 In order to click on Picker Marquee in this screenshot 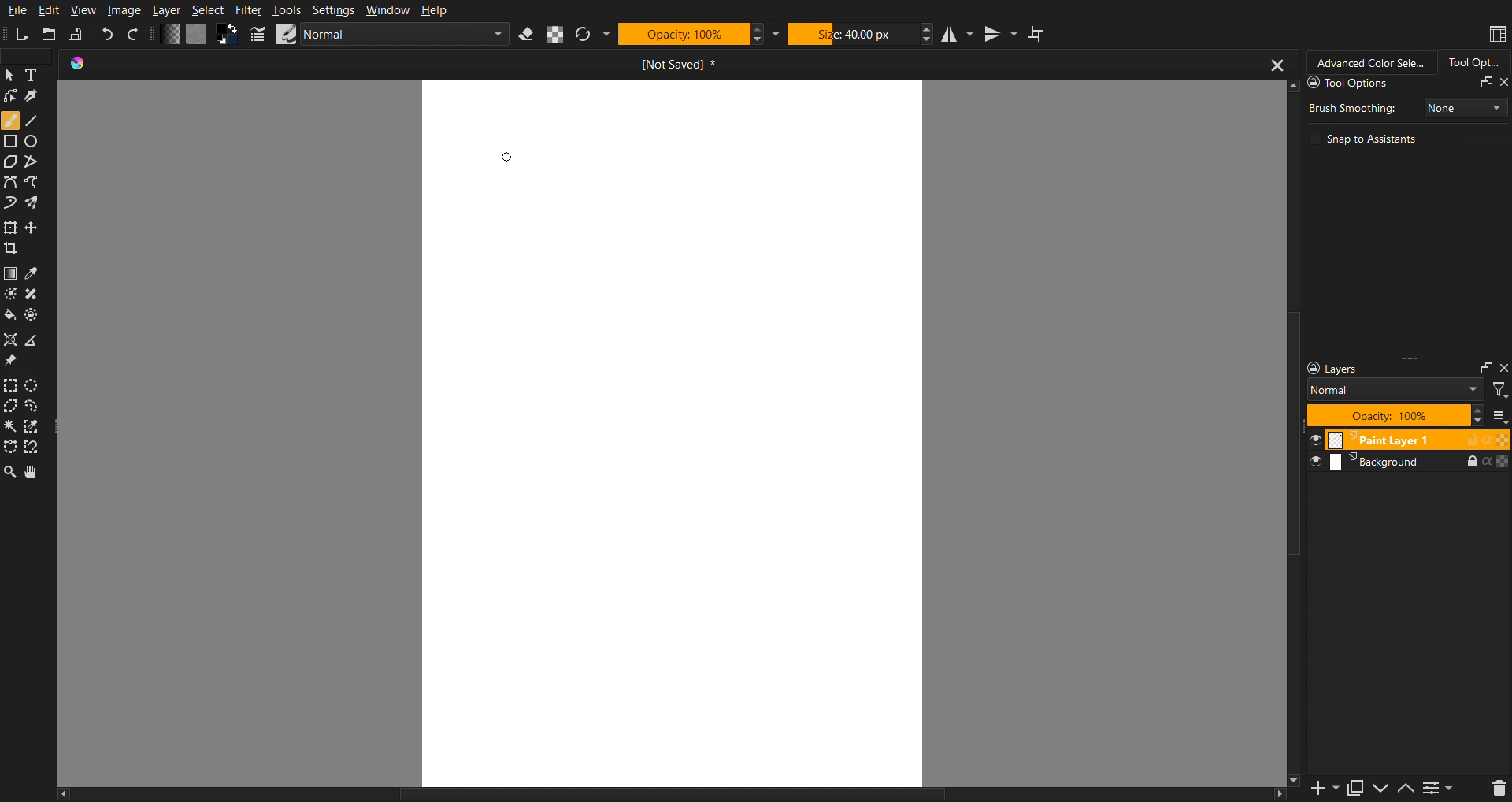, I will do `click(38, 427)`.